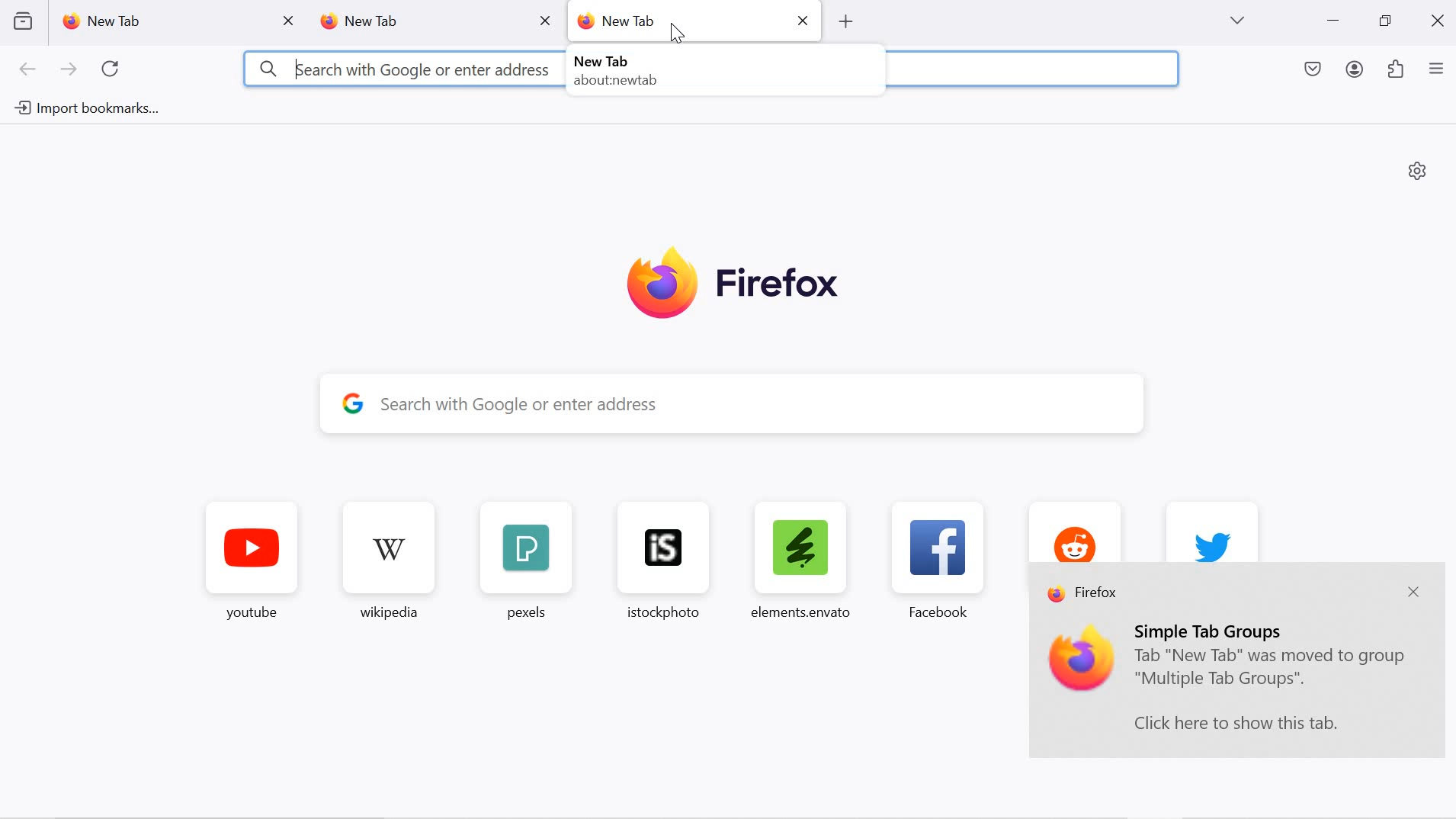 The image size is (1456, 819). What do you see at coordinates (392, 564) in the screenshot?
I see `wikipedia favorite` at bounding box center [392, 564].